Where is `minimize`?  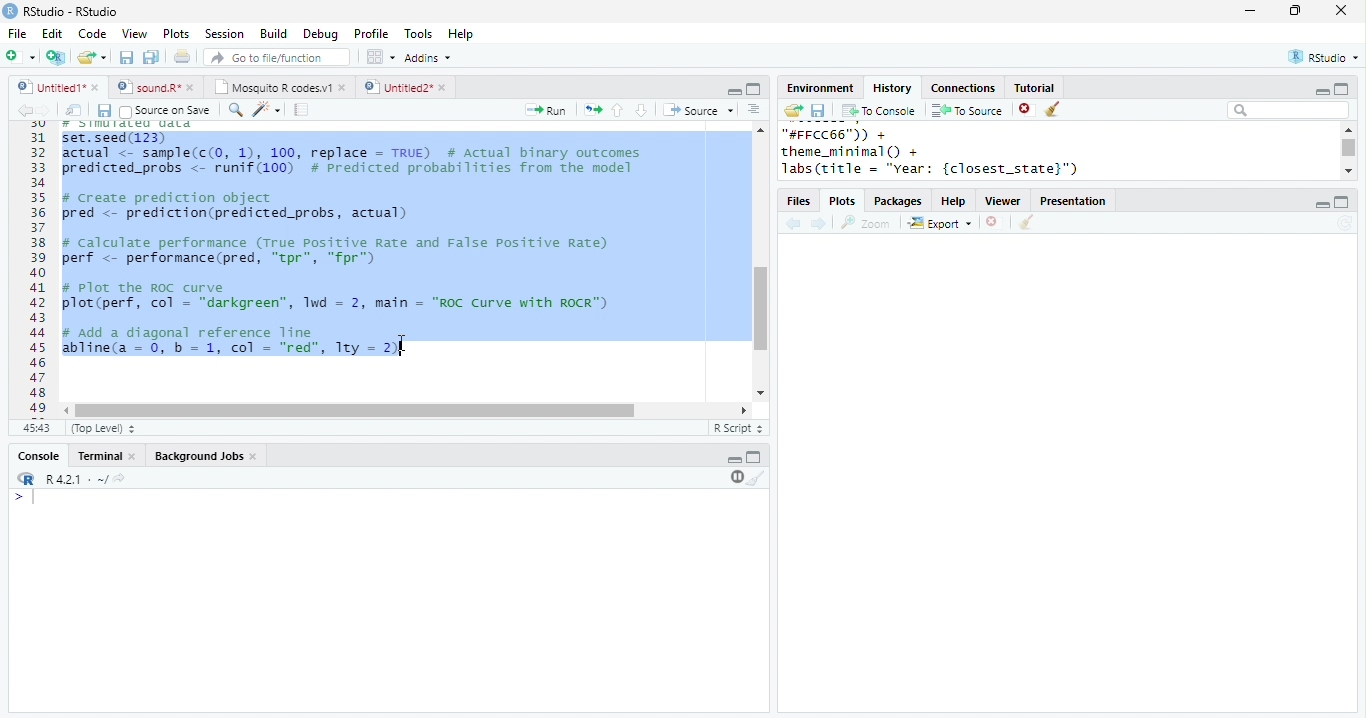
minimize is located at coordinates (734, 90).